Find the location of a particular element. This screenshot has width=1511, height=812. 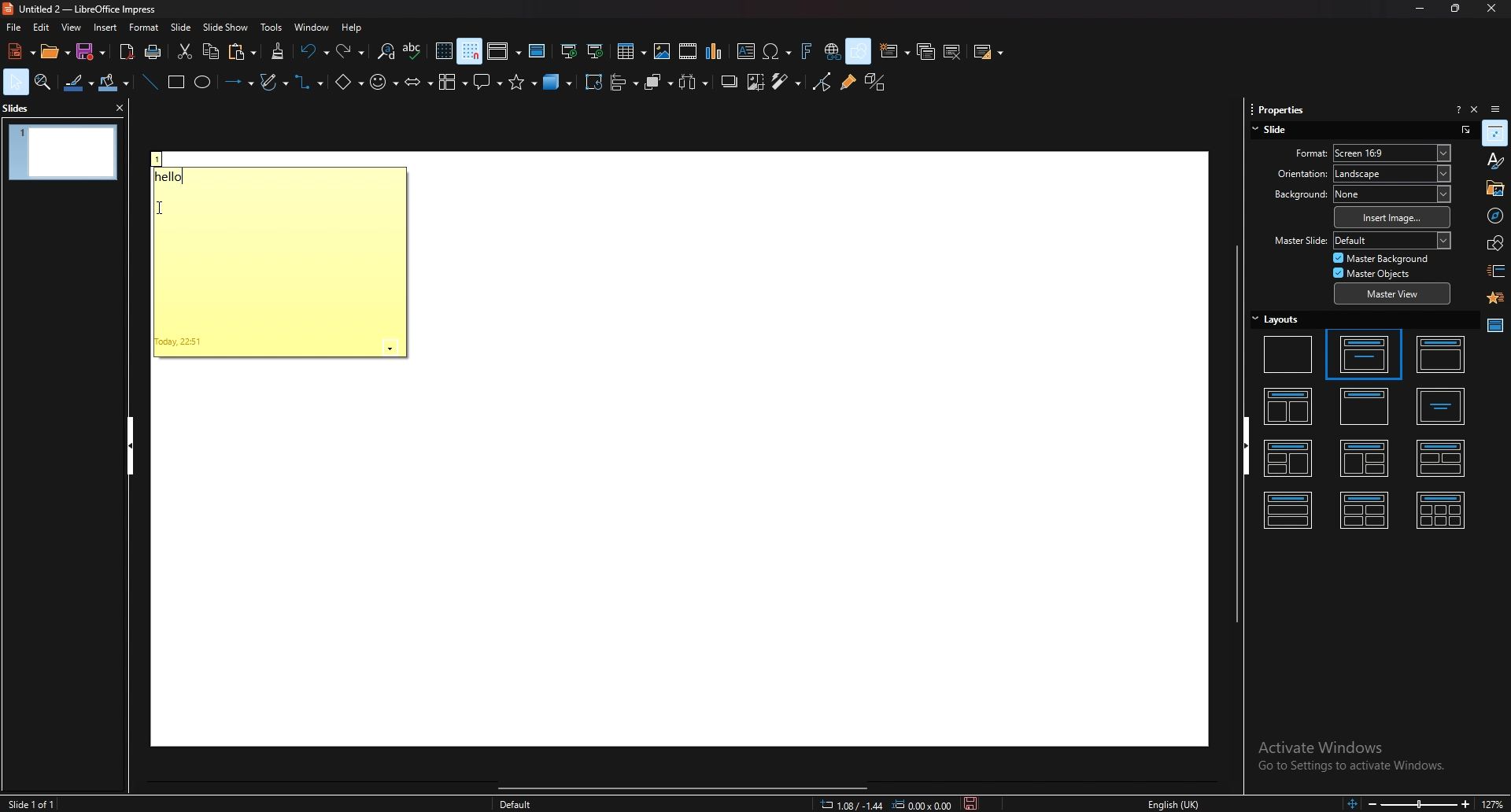

Background is located at coordinates (1293, 195).